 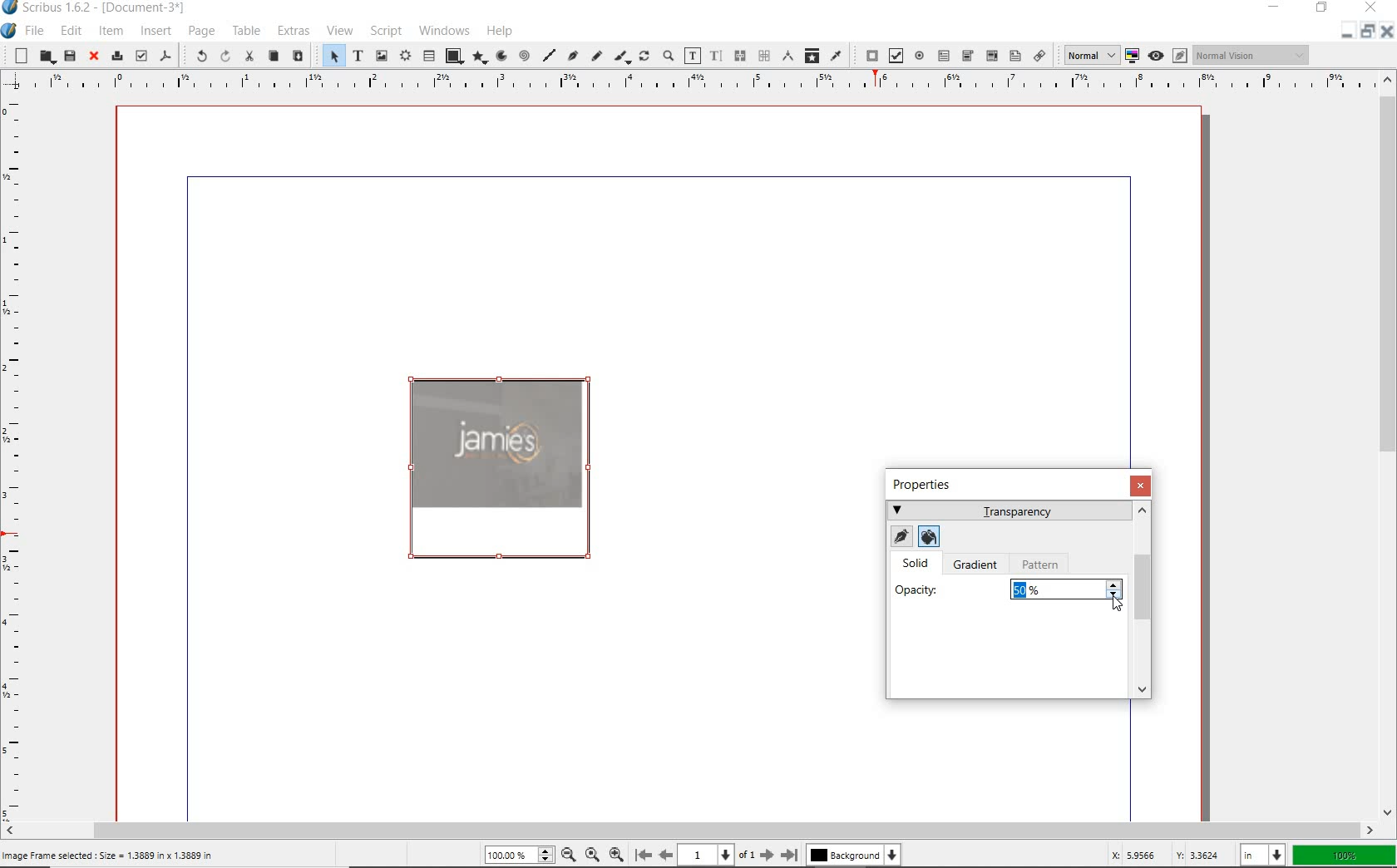 I want to click on unlink text frames, so click(x=759, y=57).